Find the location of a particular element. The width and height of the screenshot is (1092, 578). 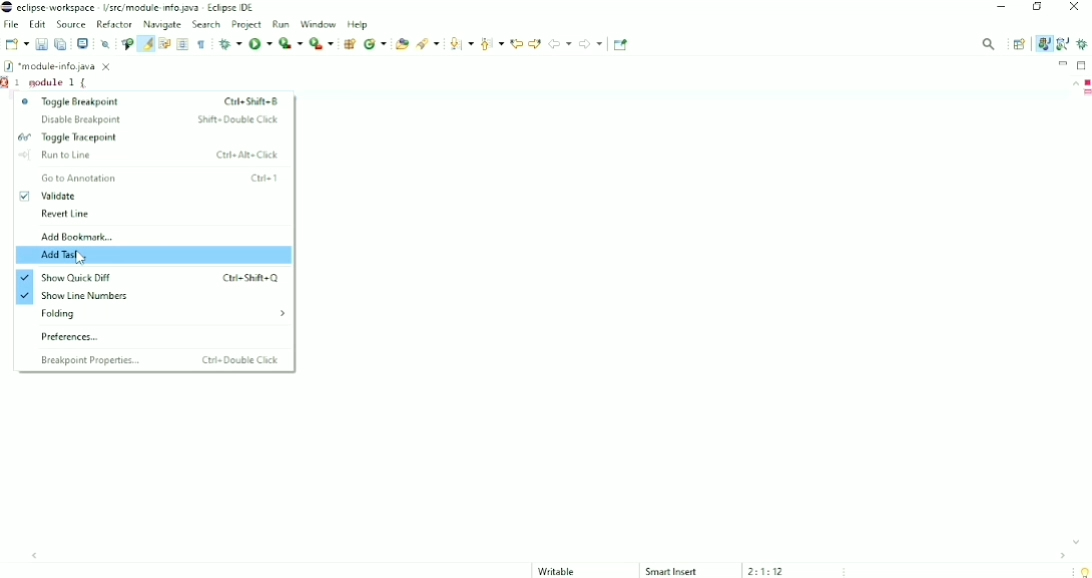

Search is located at coordinates (207, 25).